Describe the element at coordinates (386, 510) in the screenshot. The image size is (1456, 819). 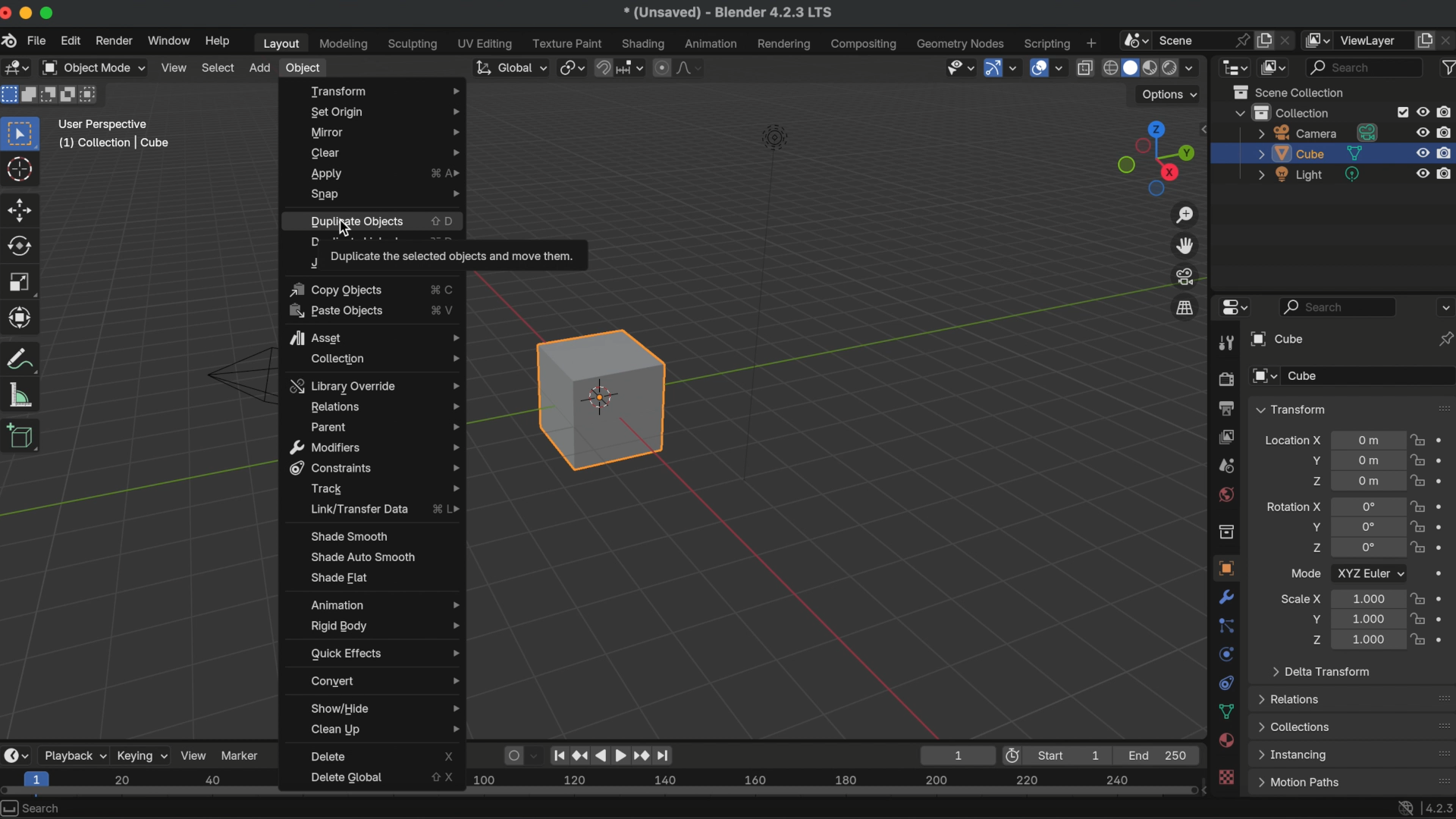
I see `link/transfer data menu` at that location.